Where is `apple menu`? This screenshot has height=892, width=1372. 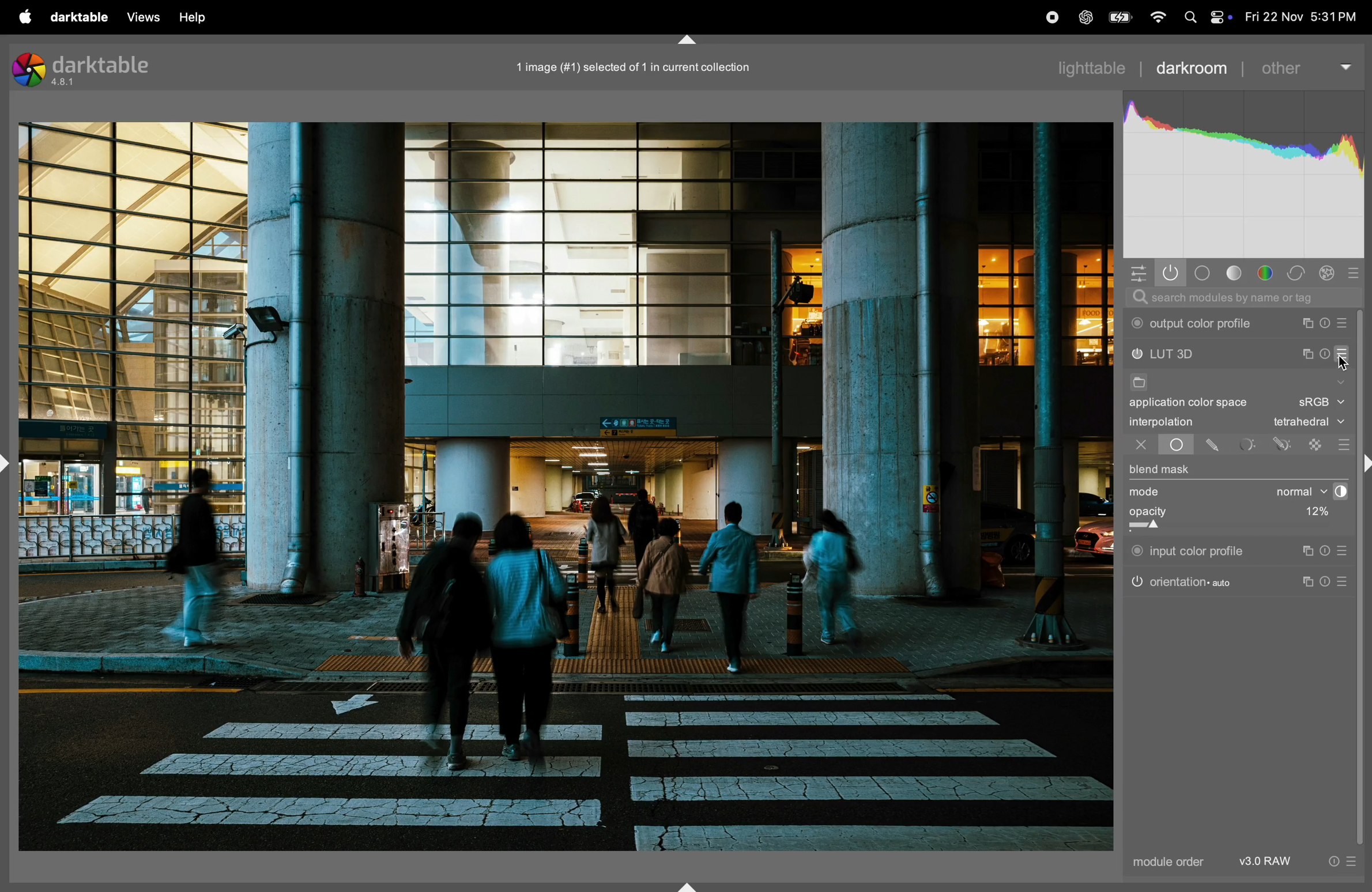
apple menu is located at coordinates (18, 16).